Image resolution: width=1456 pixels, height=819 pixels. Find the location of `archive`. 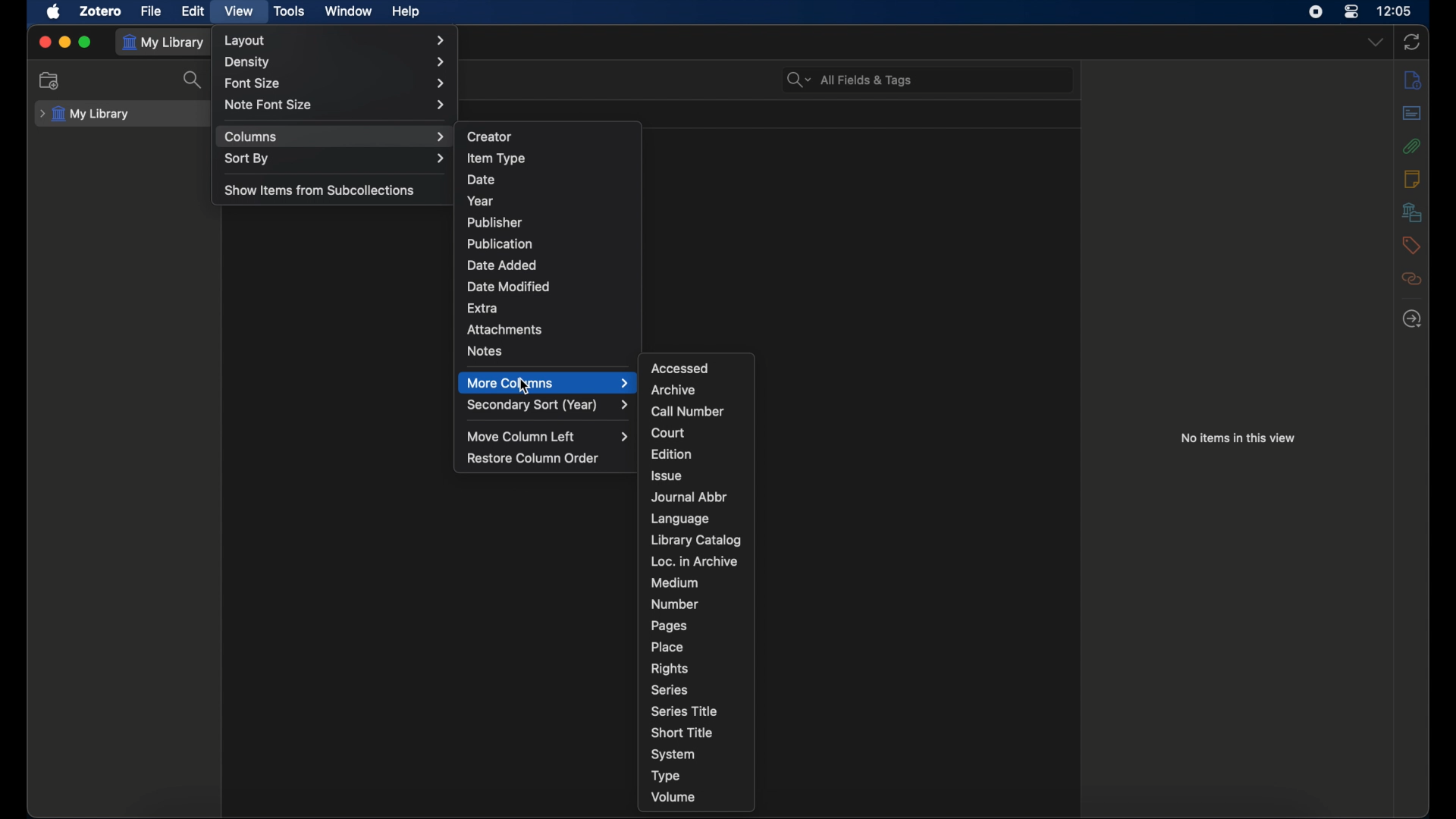

archive is located at coordinates (673, 390).